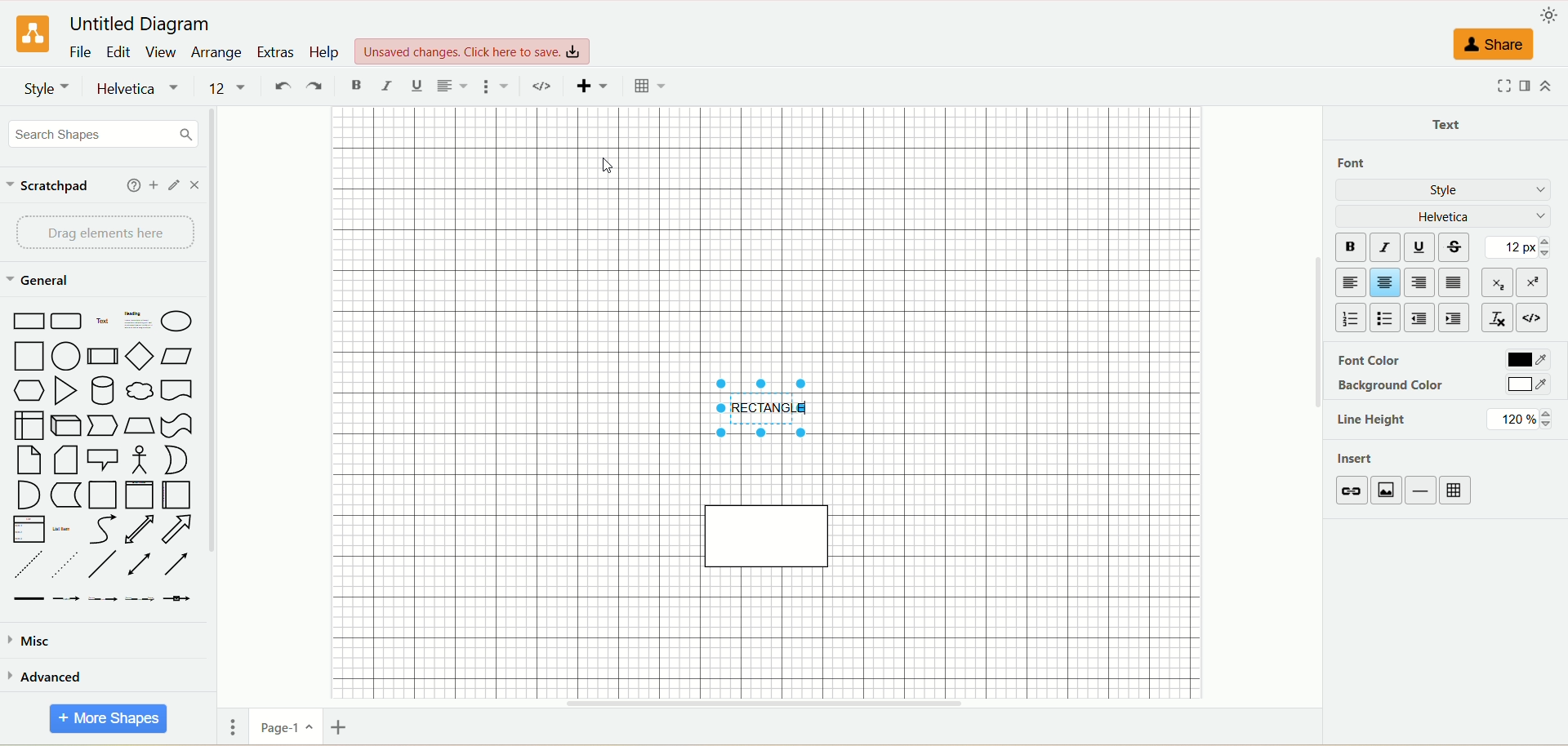 This screenshot has height=746, width=1568. I want to click on misc, so click(33, 645).